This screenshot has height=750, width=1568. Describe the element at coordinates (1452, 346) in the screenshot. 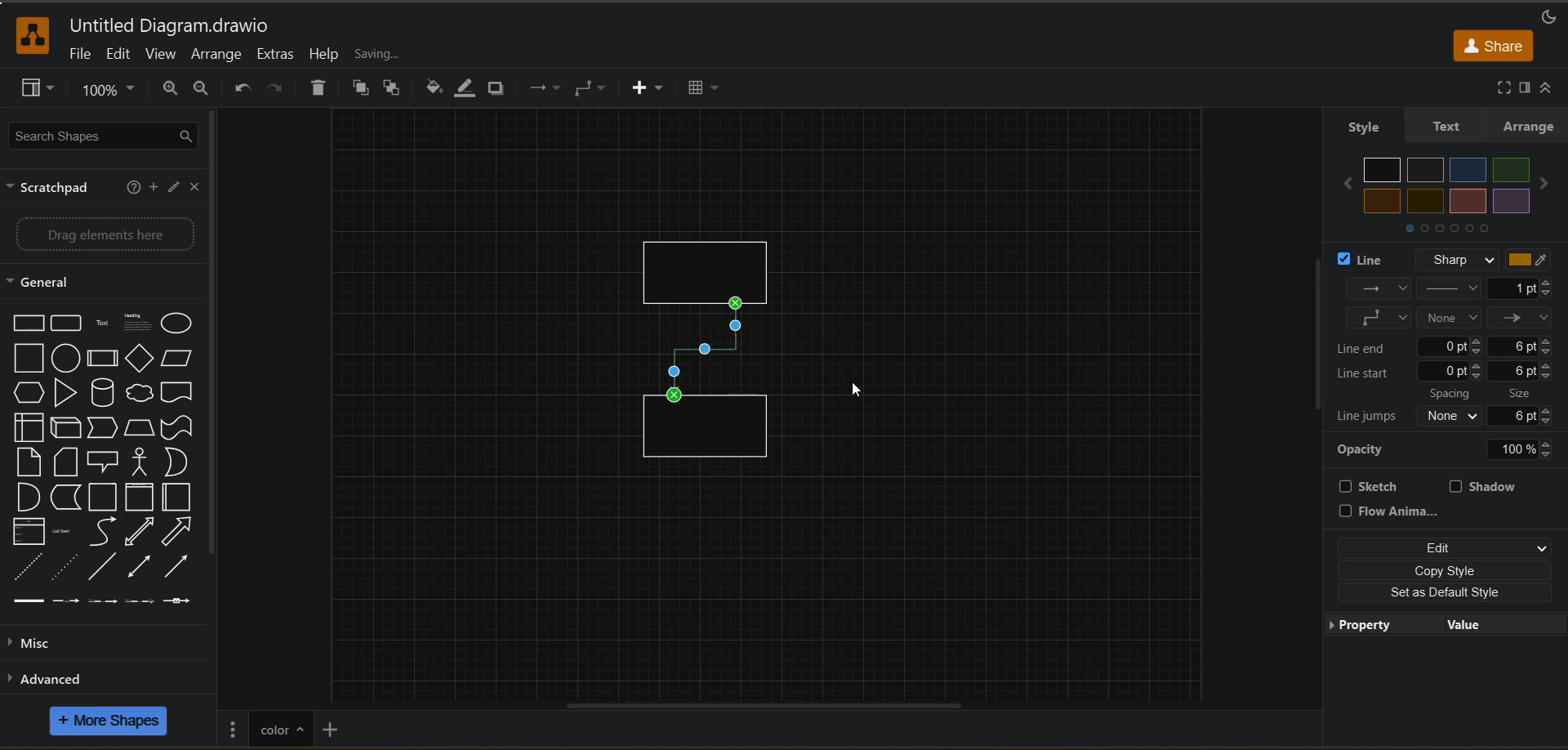

I see `0pt` at that location.